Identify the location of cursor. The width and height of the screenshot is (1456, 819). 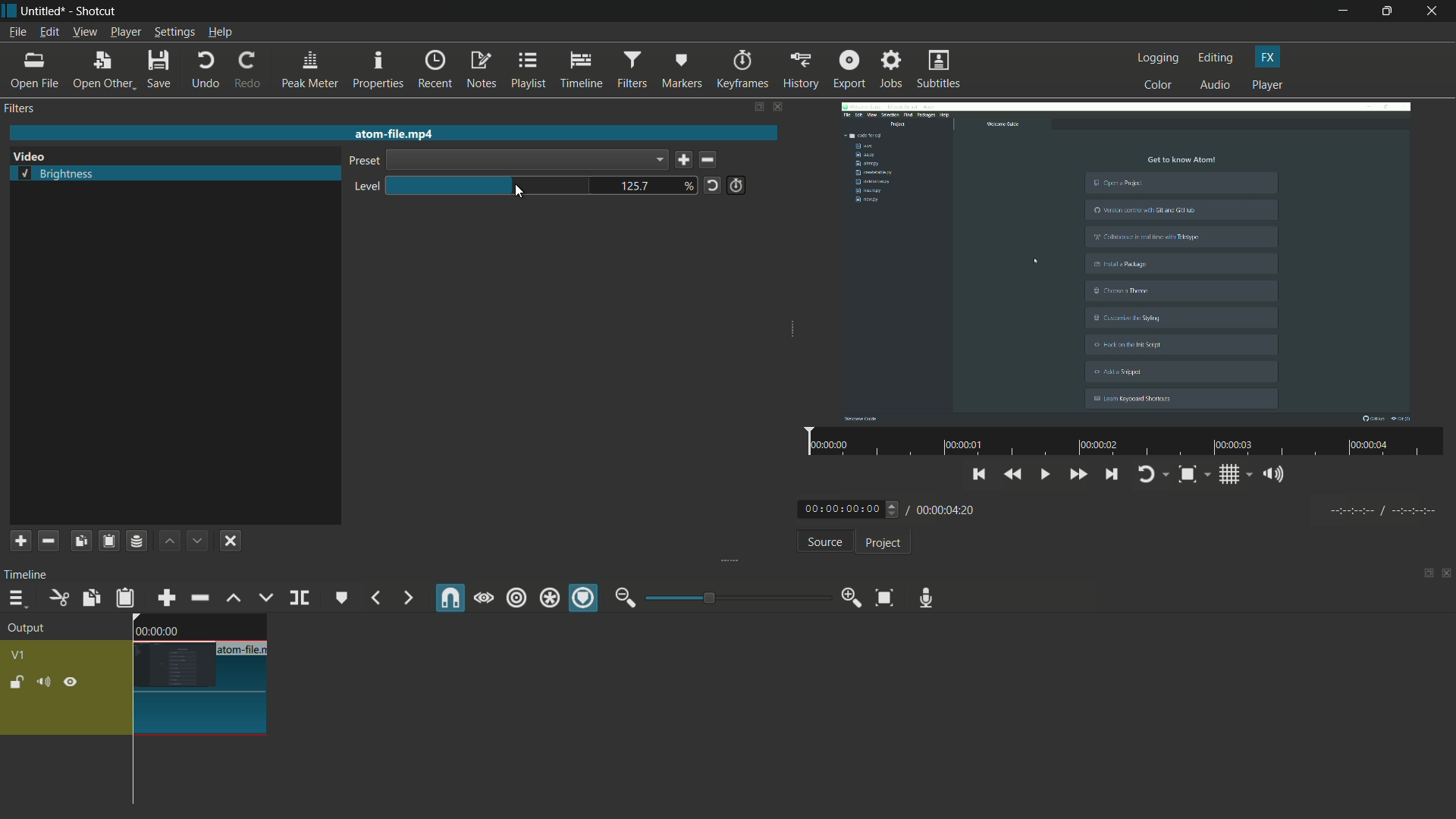
(520, 194).